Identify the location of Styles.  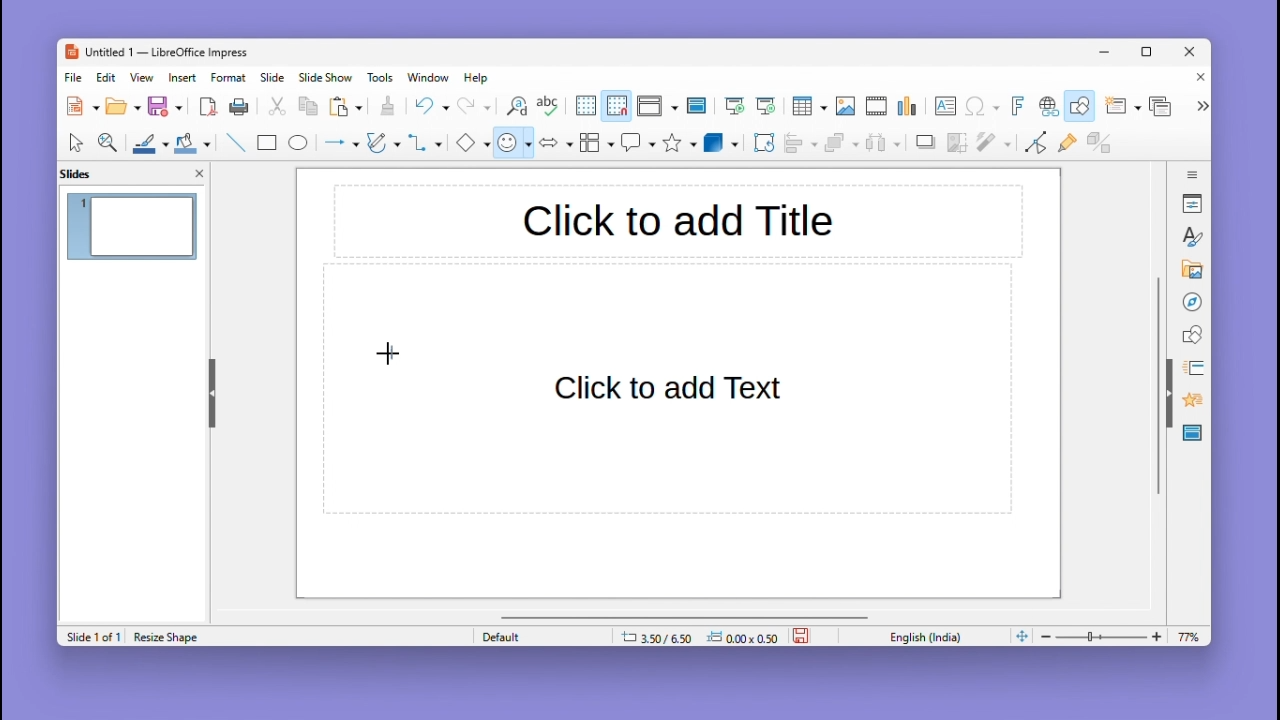
(1194, 236).